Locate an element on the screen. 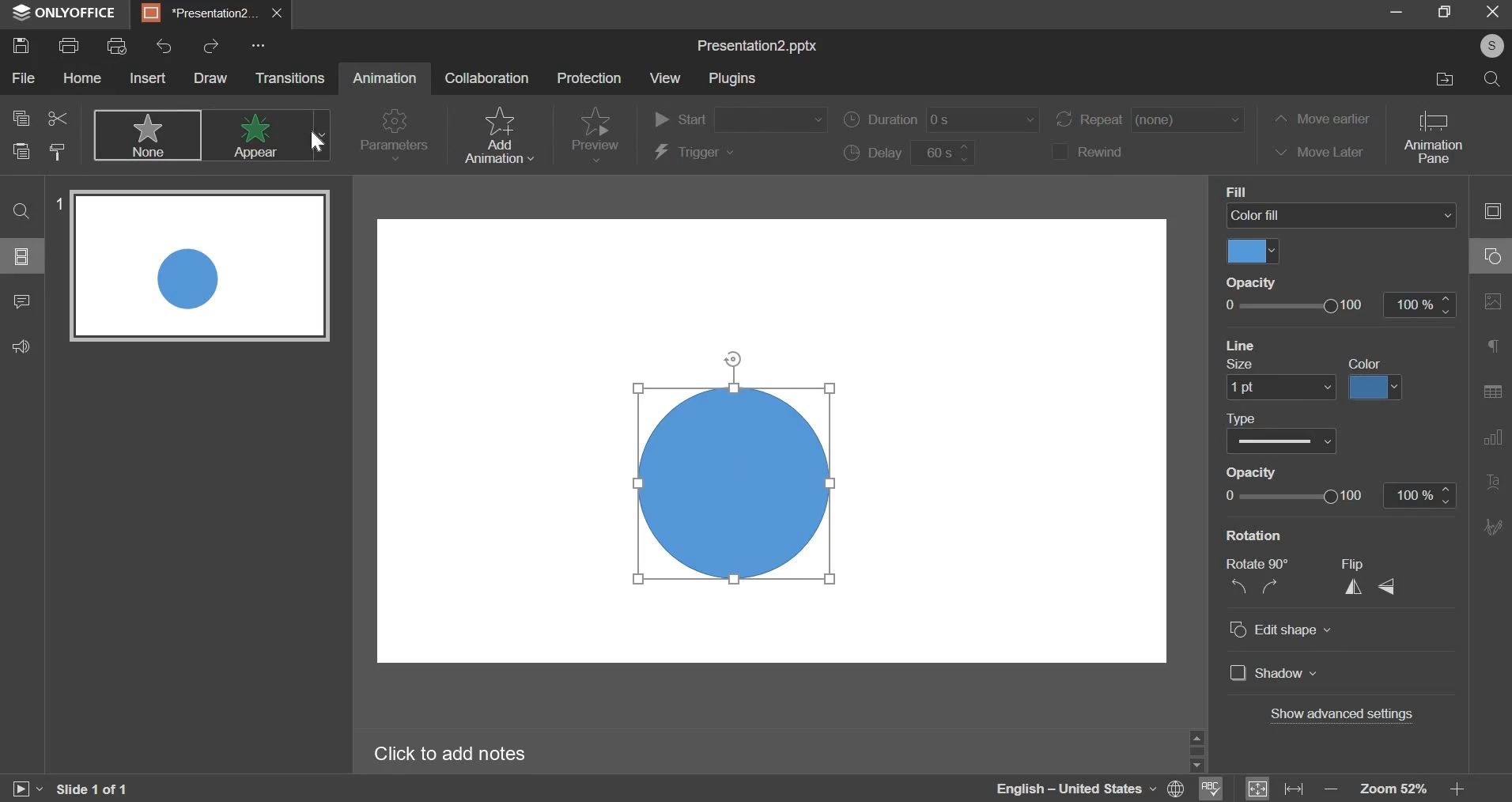 The image size is (1512, 802). language is located at coordinates (1090, 789).